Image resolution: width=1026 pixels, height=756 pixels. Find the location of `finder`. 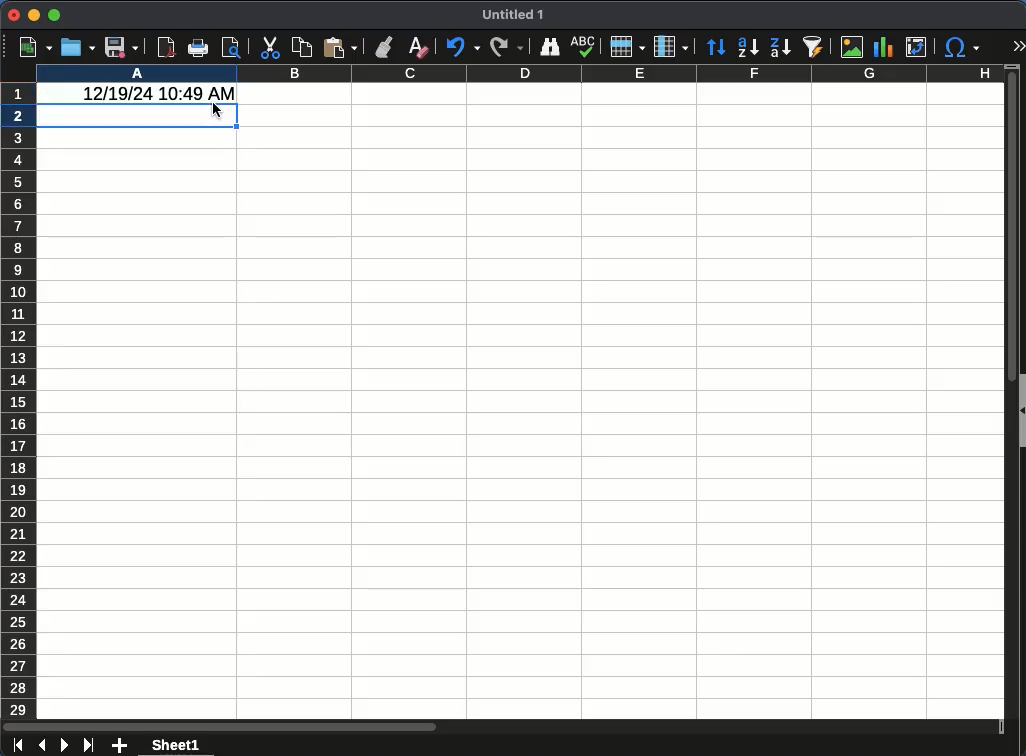

finder is located at coordinates (552, 47).